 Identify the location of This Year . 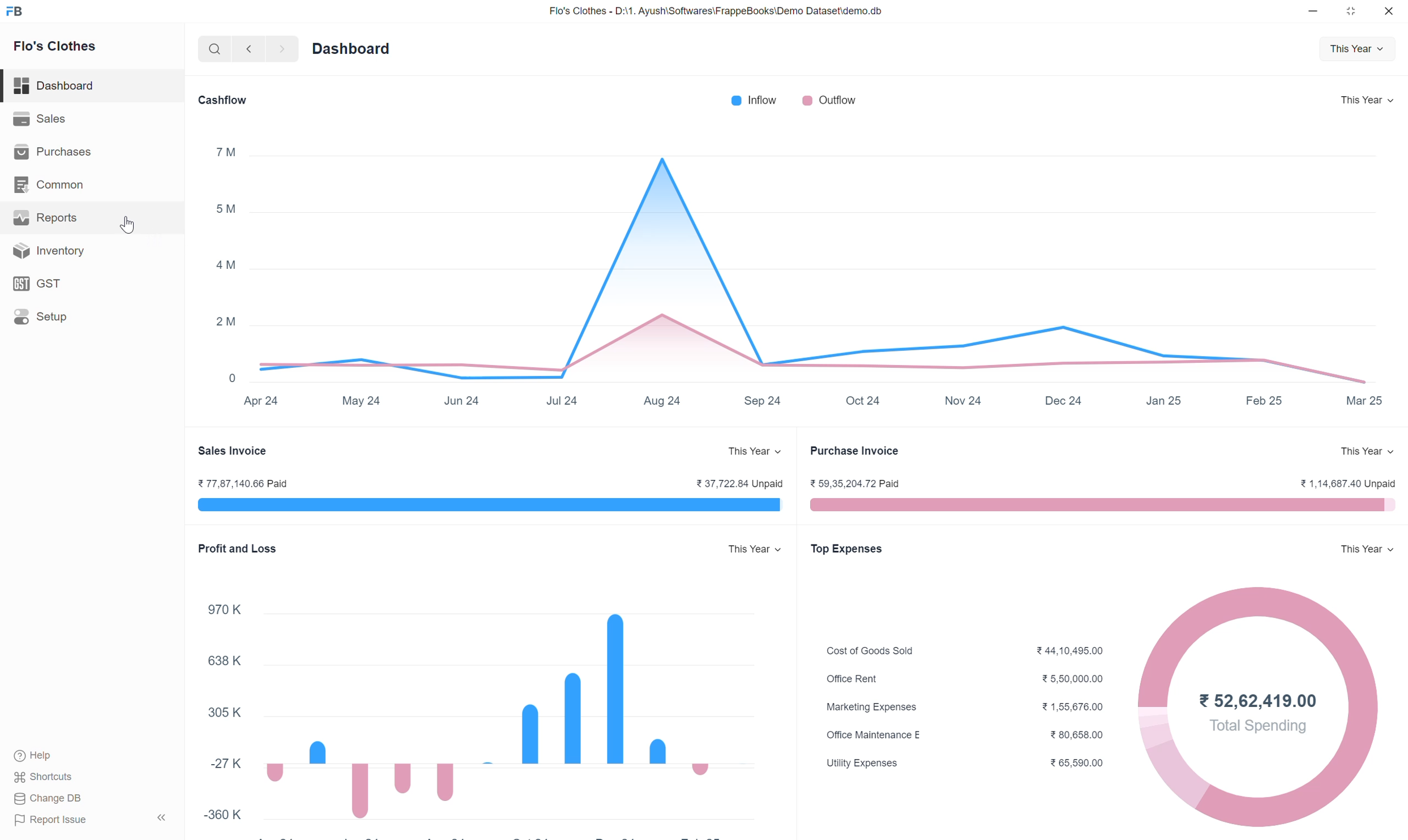
(750, 452).